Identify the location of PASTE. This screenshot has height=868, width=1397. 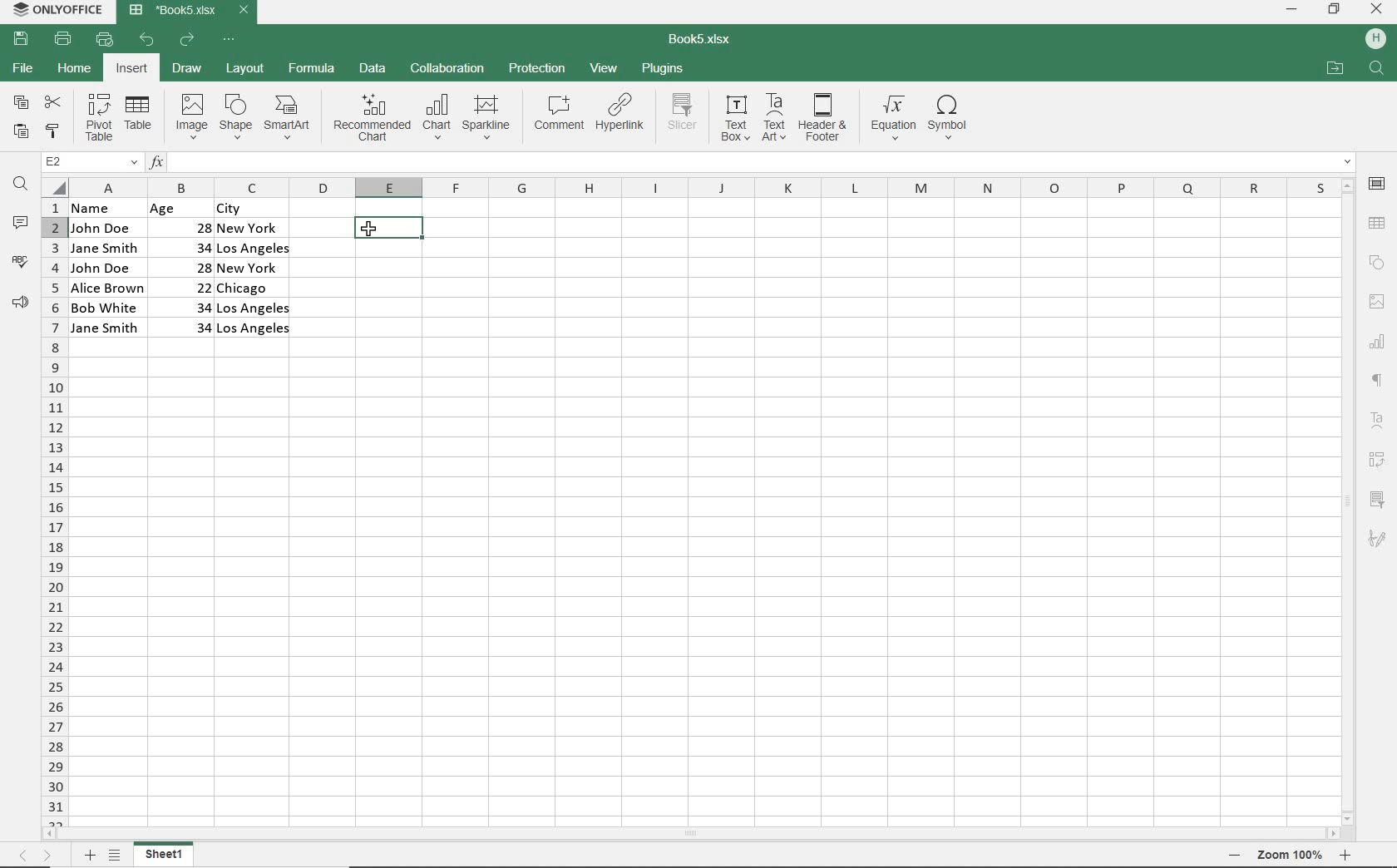
(22, 133).